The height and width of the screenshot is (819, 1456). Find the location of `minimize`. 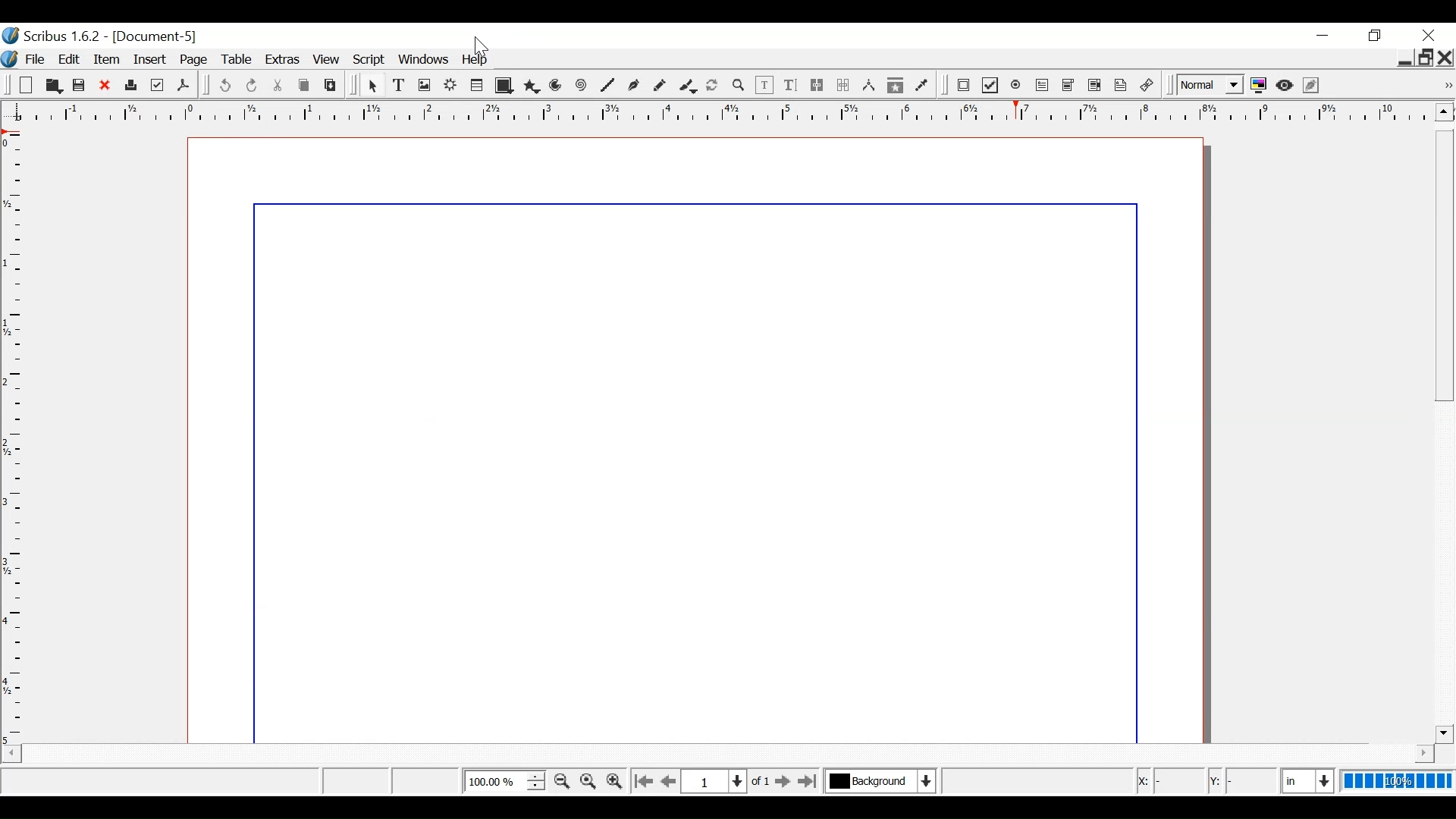

minimize is located at coordinates (1322, 36).